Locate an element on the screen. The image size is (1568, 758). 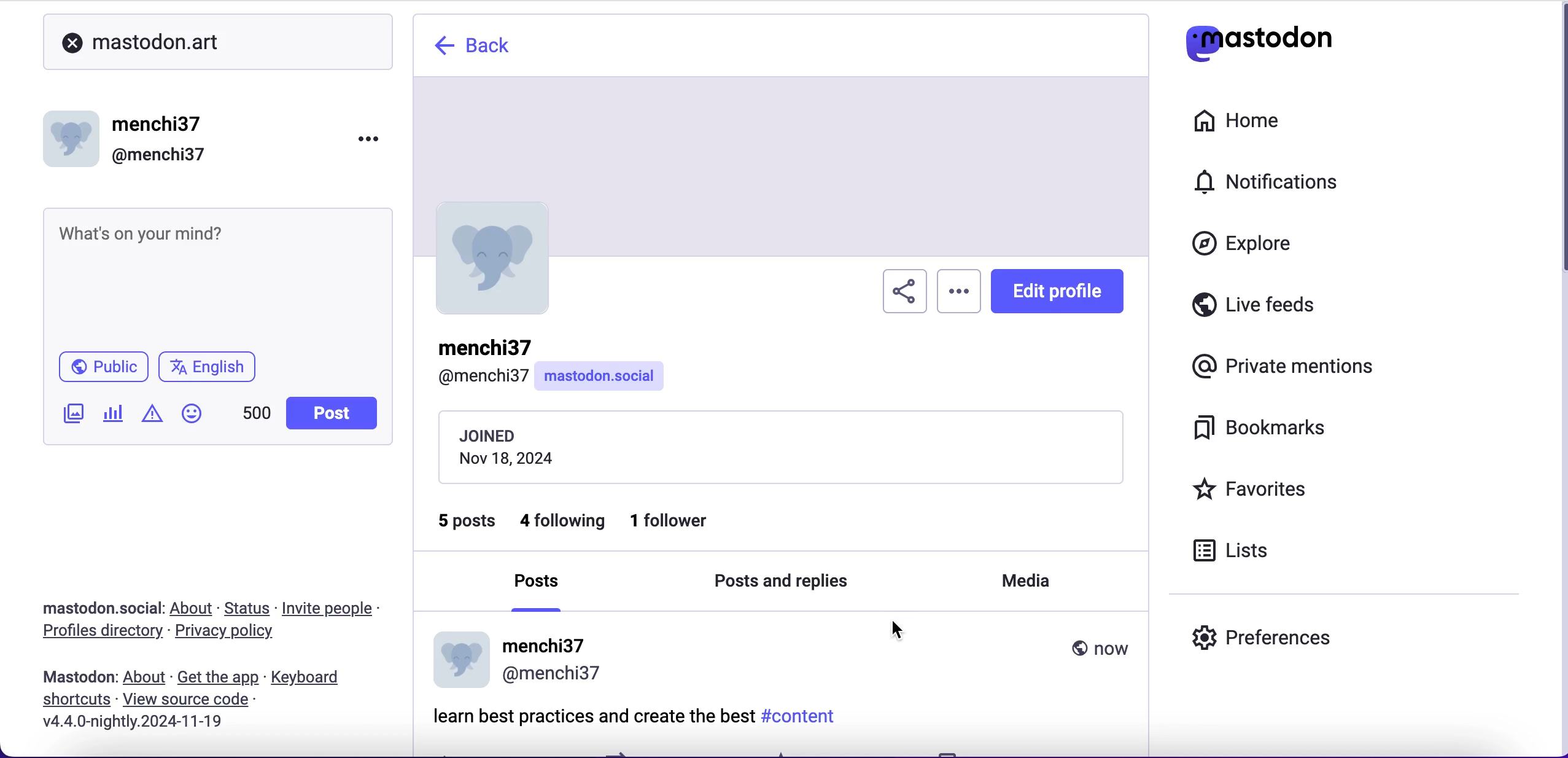
 is located at coordinates (187, 699).